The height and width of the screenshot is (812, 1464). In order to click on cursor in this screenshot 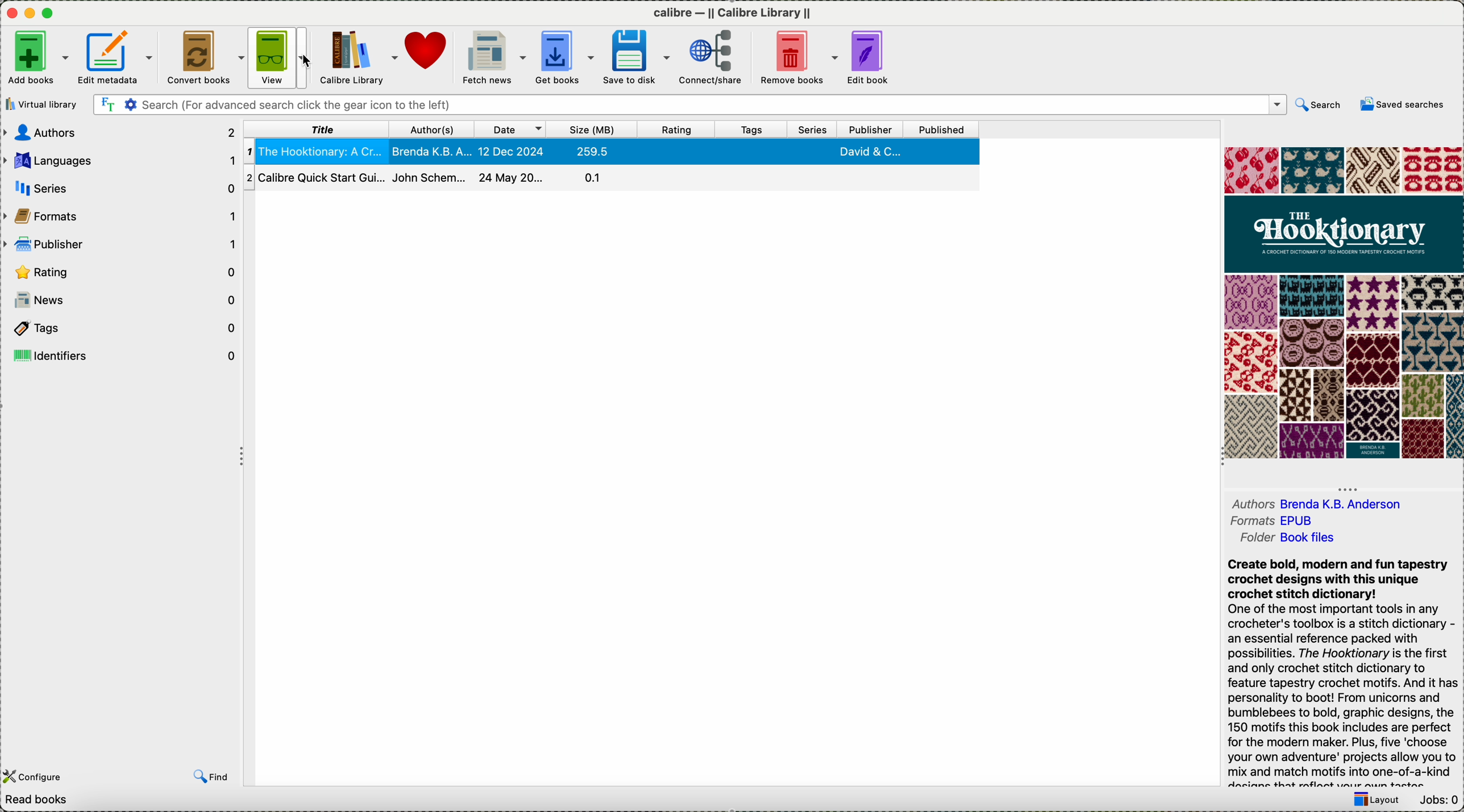, I will do `click(308, 60)`.